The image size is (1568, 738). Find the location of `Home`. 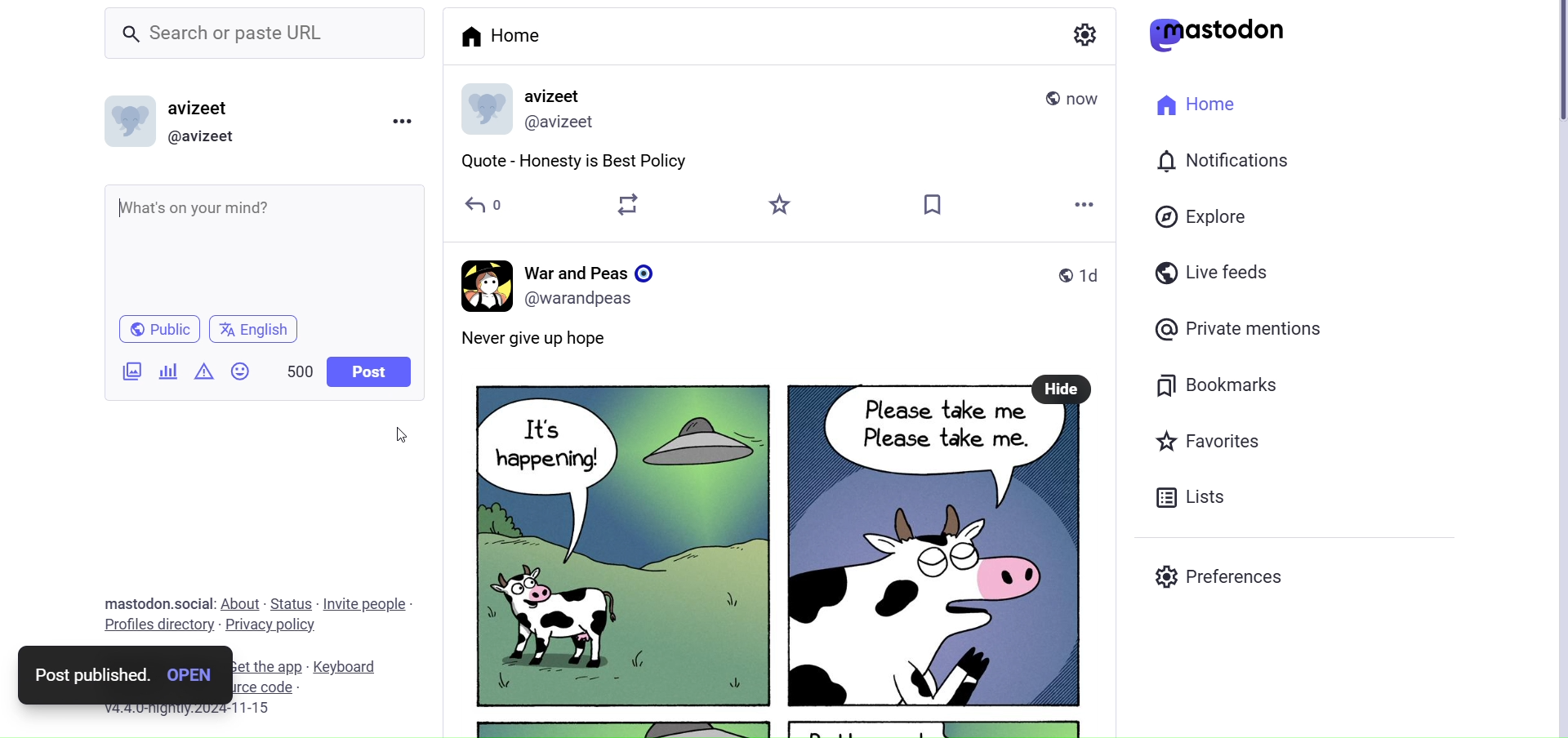

Home is located at coordinates (1196, 105).